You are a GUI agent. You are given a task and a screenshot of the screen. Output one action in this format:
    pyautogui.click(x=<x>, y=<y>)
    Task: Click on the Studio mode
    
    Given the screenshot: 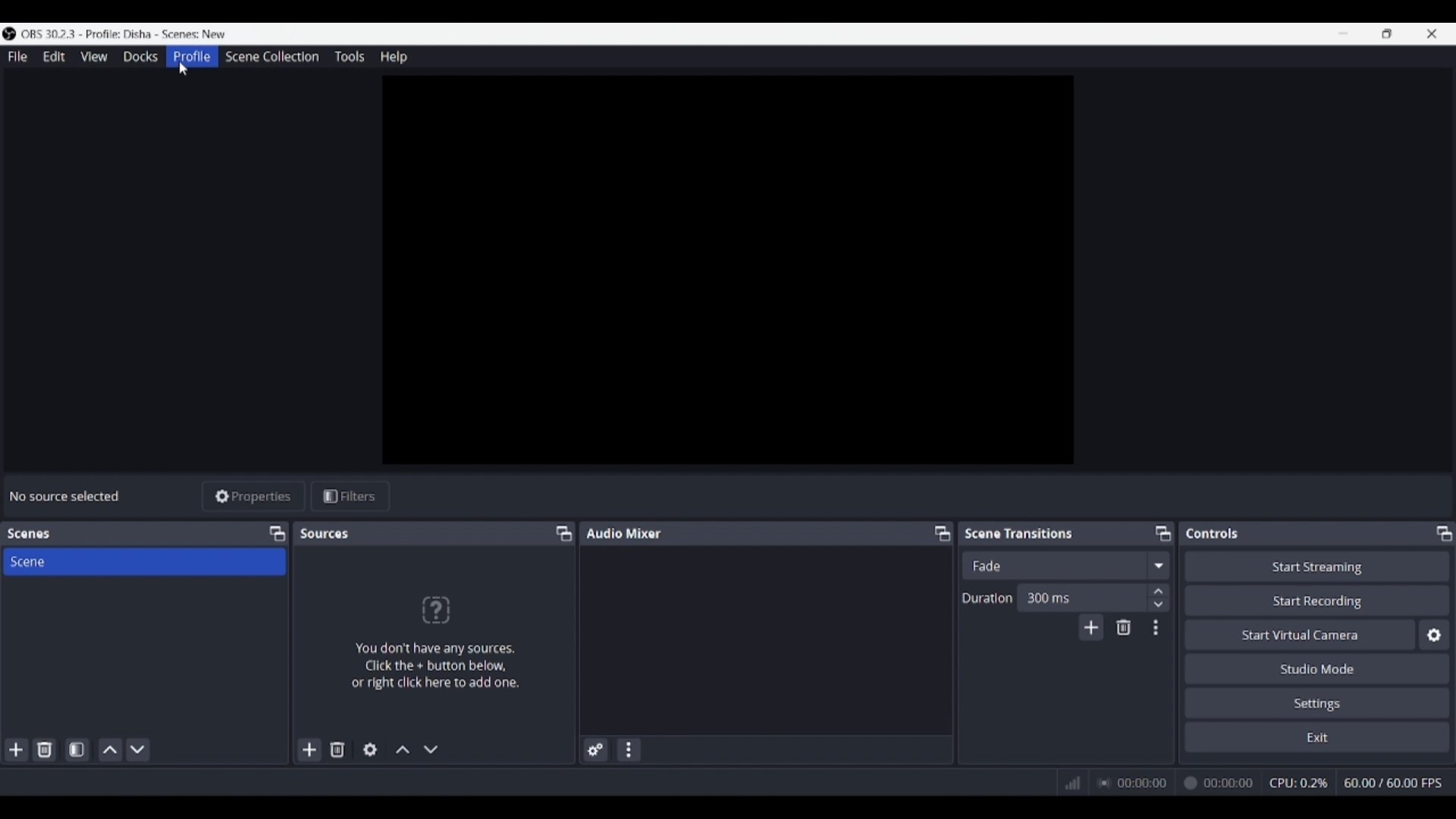 What is the action you would take?
    pyautogui.click(x=1317, y=668)
    